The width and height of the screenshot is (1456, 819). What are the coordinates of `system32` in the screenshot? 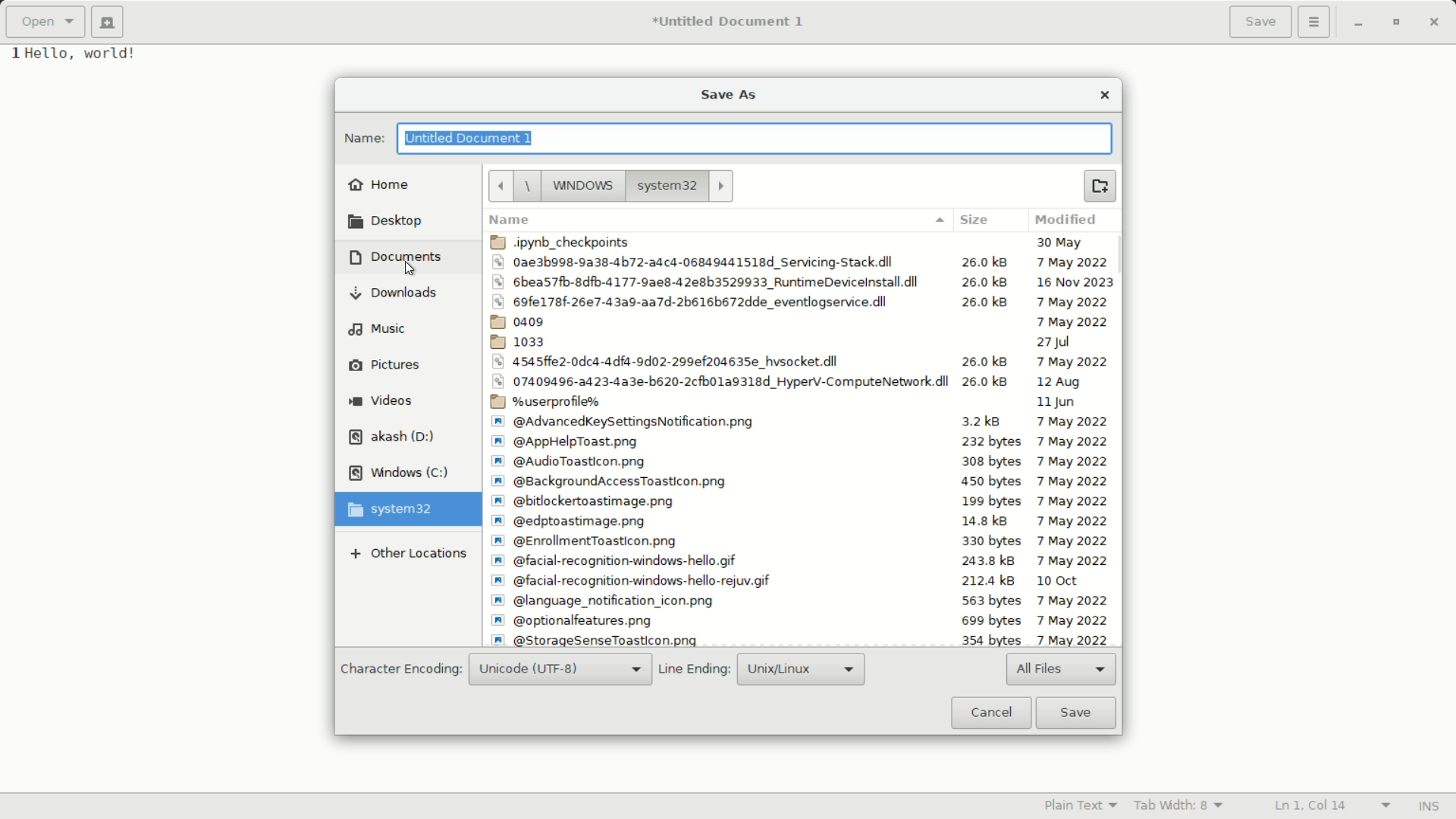 It's located at (394, 510).